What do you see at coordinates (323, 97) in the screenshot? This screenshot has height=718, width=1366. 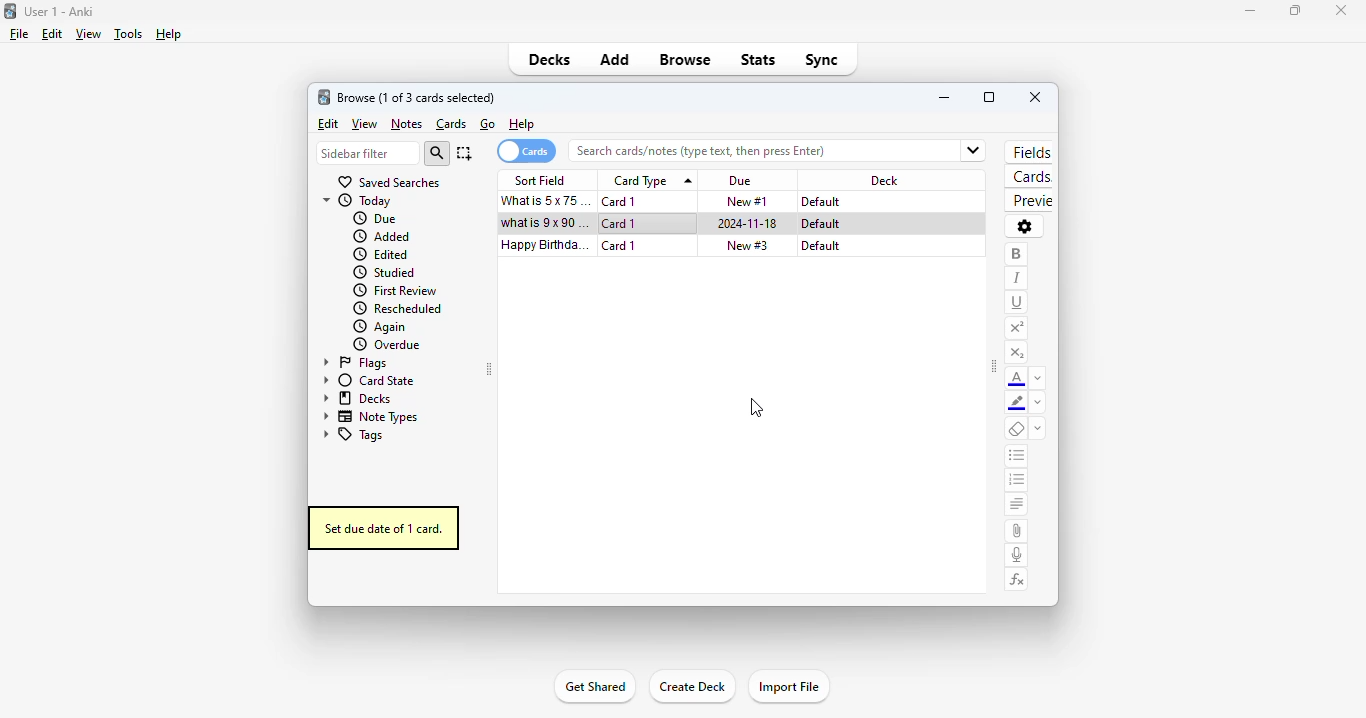 I see `logo` at bounding box center [323, 97].